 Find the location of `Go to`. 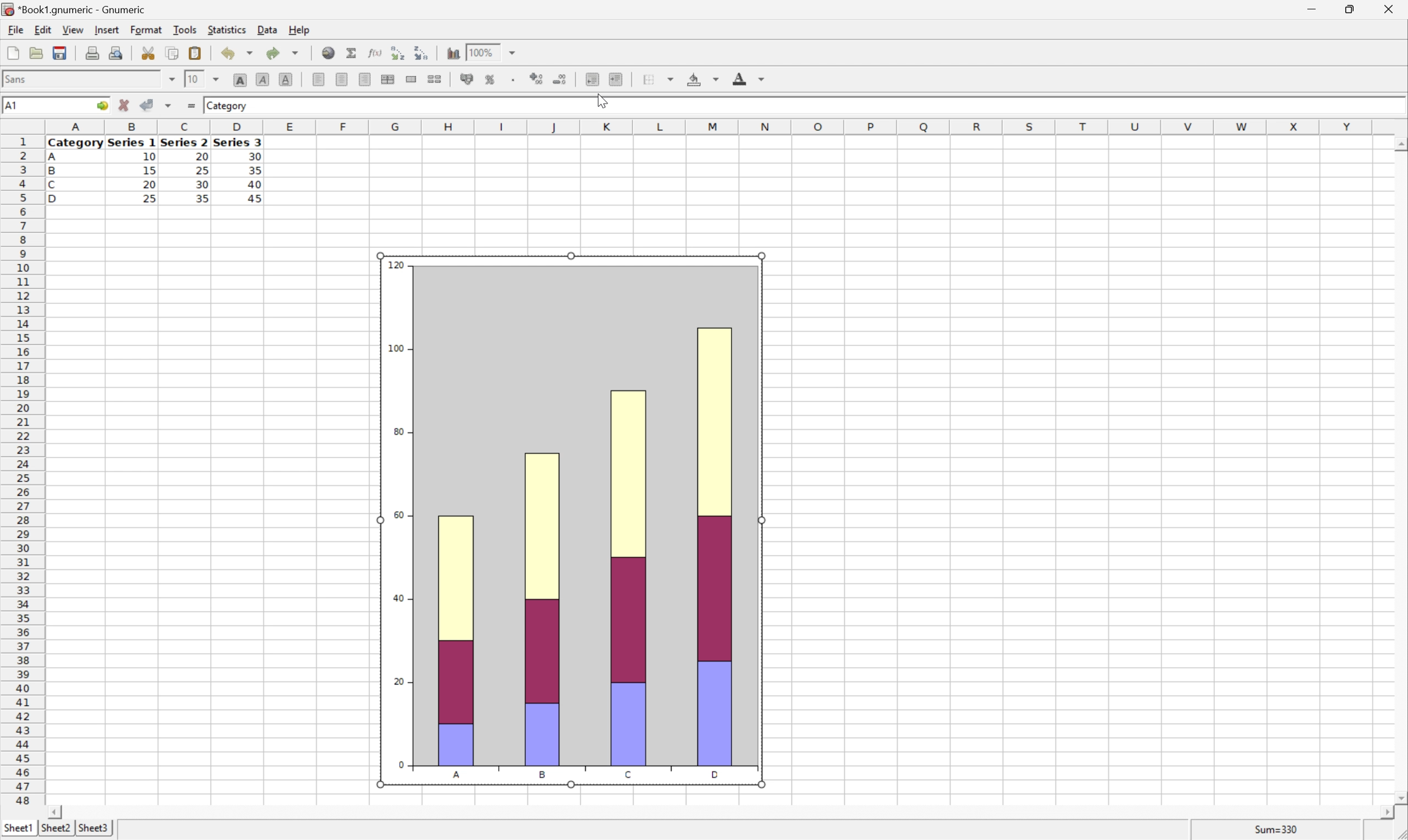

Go to is located at coordinates (100, 105).